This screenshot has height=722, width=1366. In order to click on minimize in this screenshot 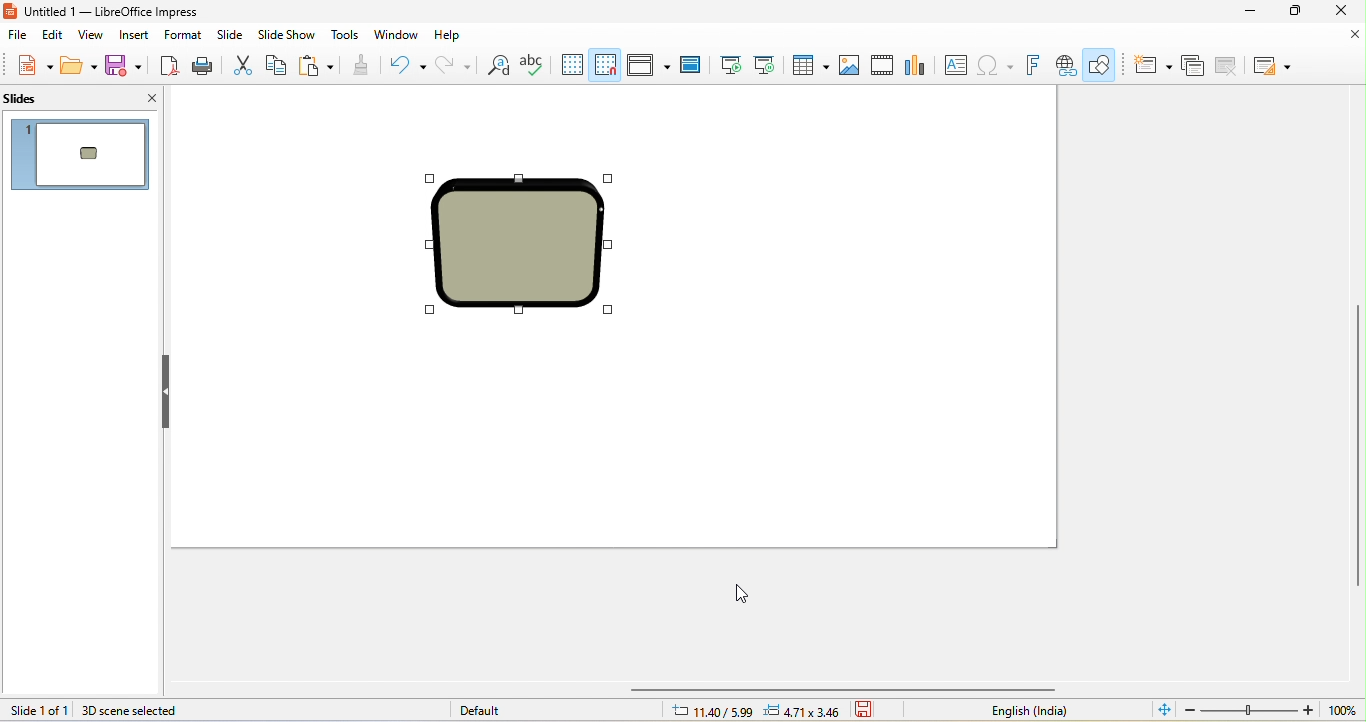, I will do `click(1247, 11)`.